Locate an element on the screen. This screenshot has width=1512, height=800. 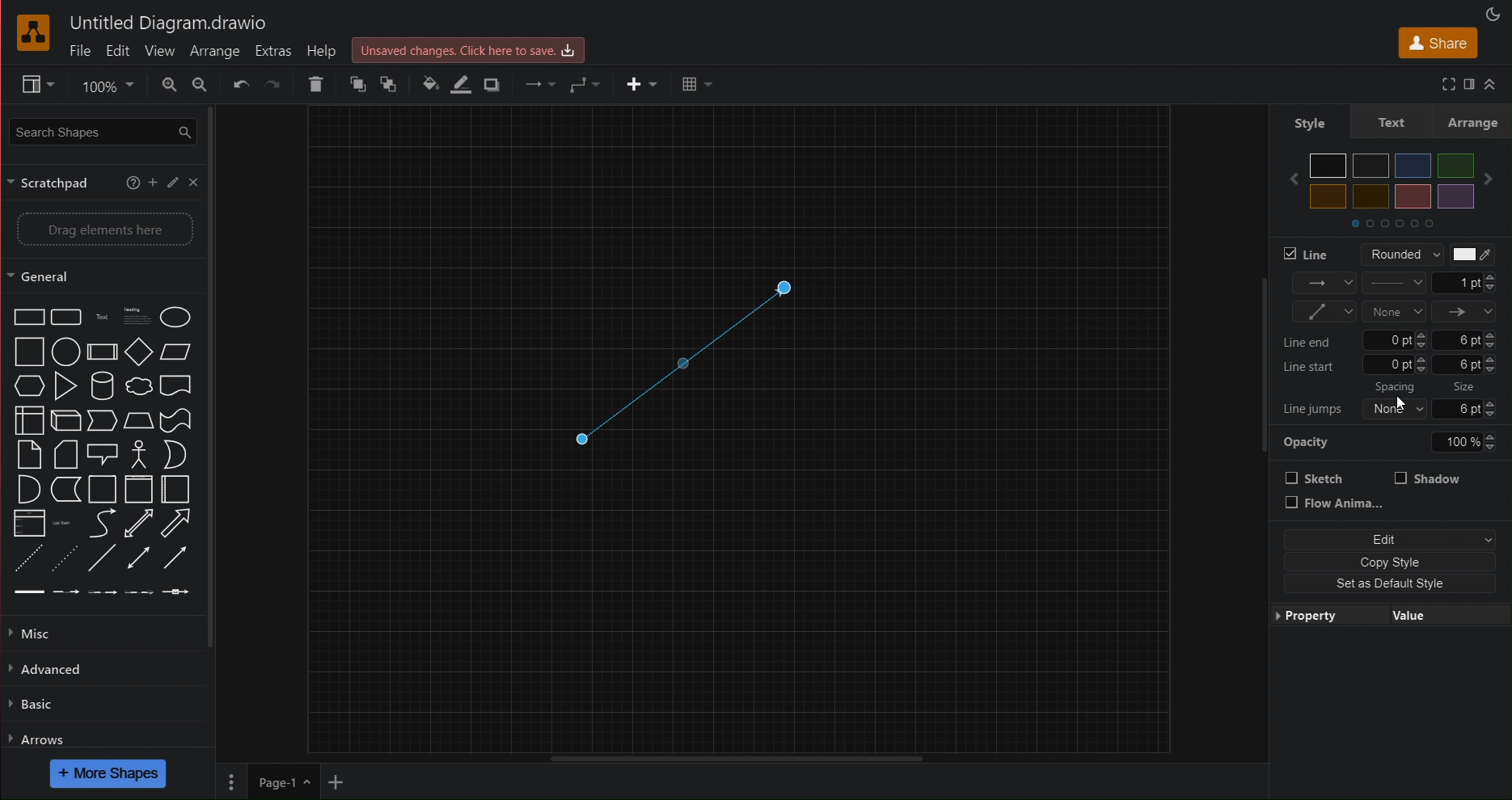
add page is located at coordinates (335, 784).